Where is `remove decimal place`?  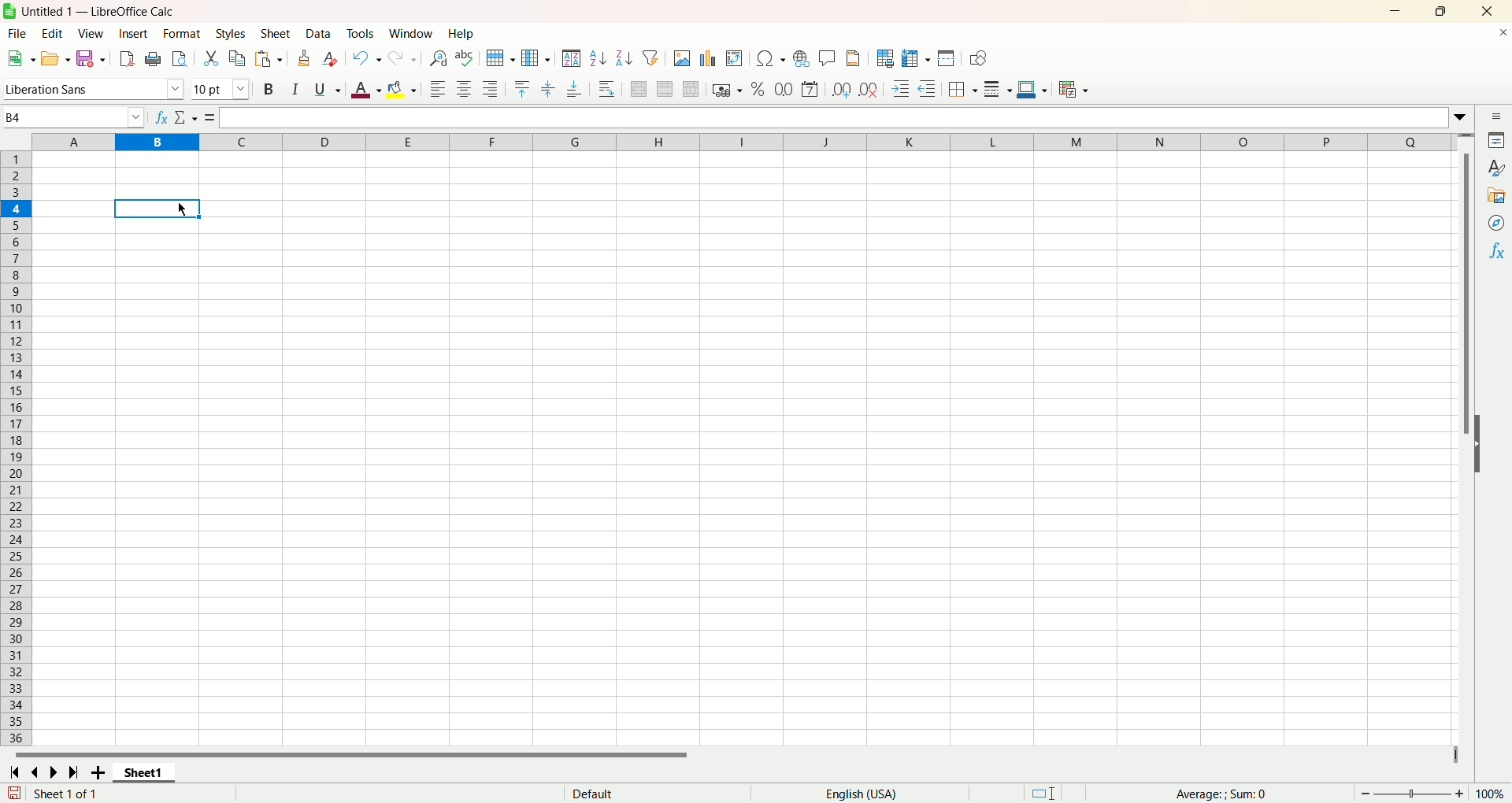
remove decimal place is located at coordinates (869, 90).